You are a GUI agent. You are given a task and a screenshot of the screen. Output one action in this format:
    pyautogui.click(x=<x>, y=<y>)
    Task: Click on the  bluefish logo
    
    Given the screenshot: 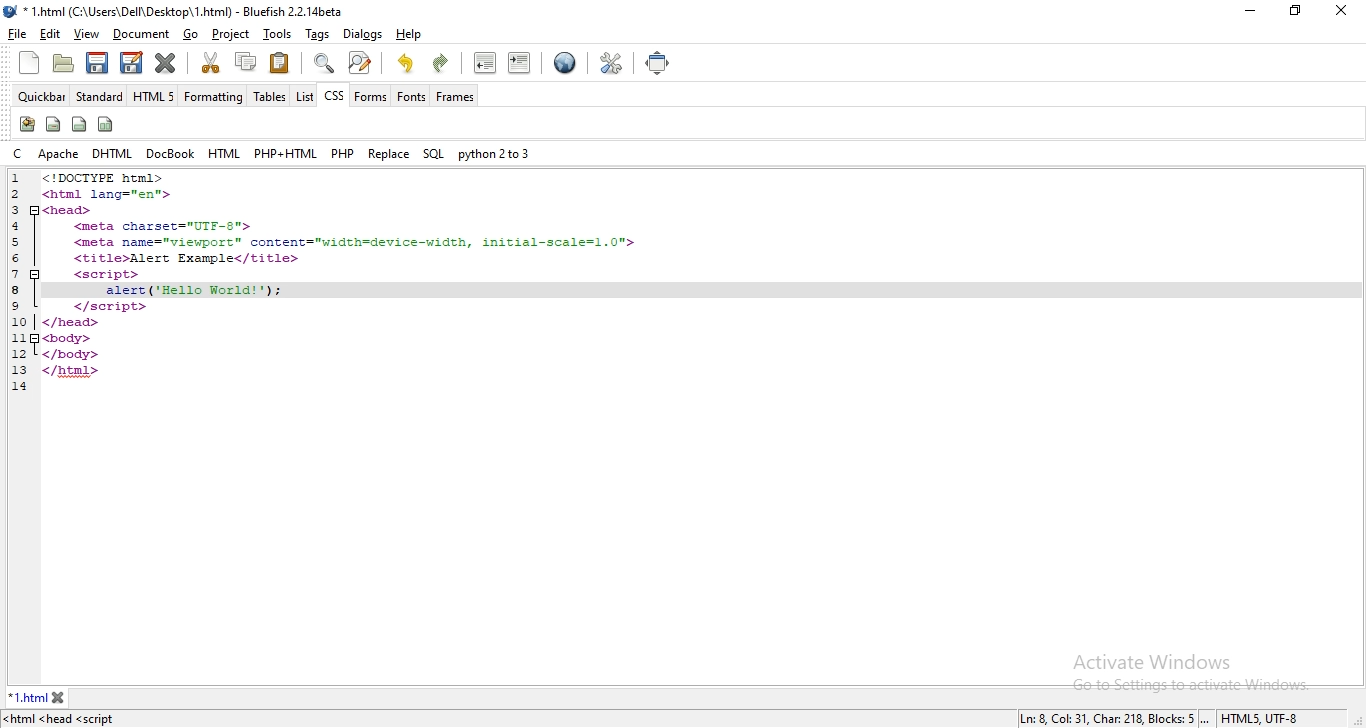 What is the action you would take?
    pyautogui.click(x=11, y=12)
    